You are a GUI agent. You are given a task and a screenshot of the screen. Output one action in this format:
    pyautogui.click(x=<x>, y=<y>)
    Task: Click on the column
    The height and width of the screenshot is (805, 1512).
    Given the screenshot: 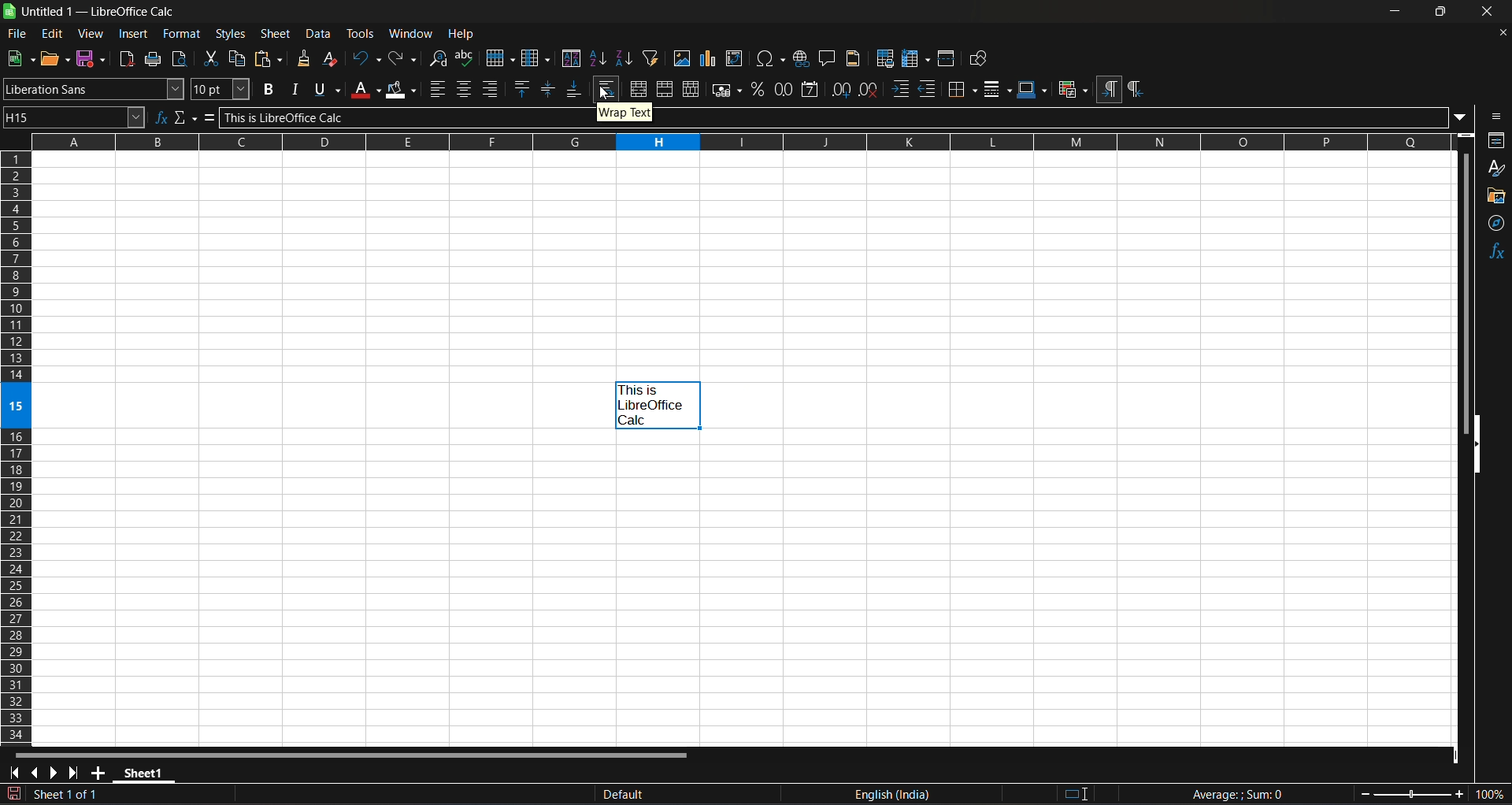 What is the action you would take?
    pyautogui.click(x=535, y=57)
    